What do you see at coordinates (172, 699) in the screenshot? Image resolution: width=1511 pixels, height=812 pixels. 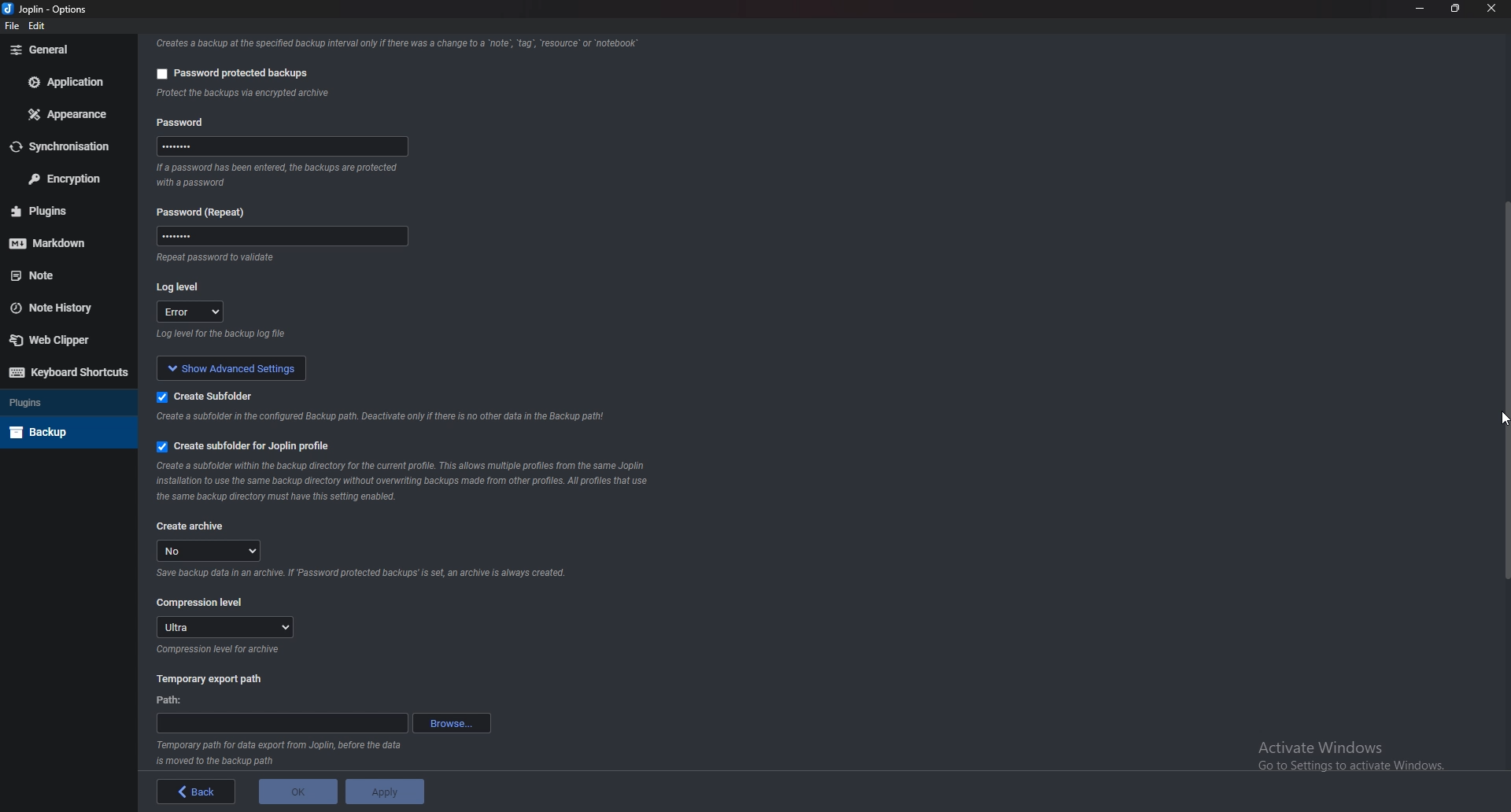 I see `path` at bounding box center [172, 699].